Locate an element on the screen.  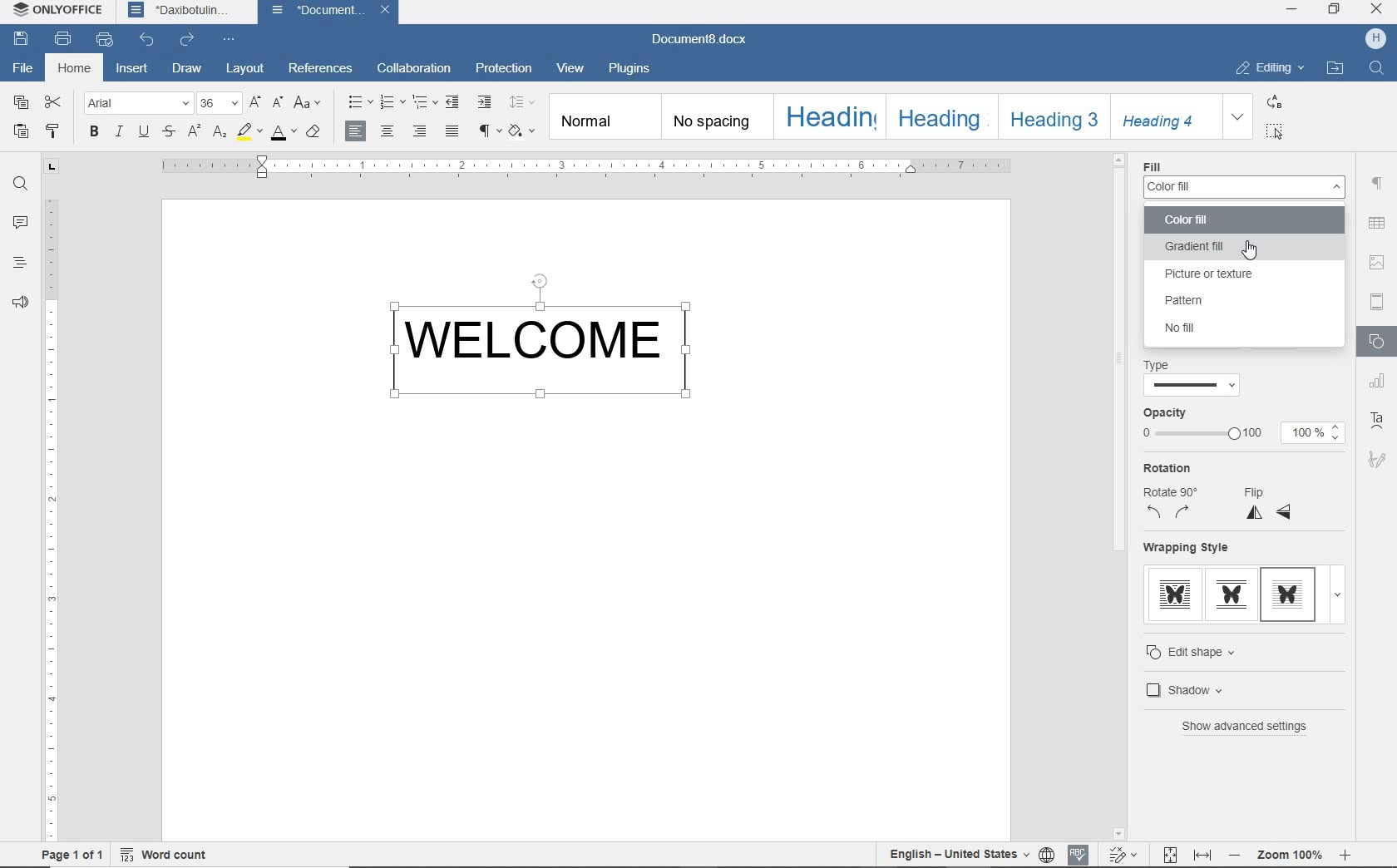
EXPAND is located at coordinates (1239, 116).